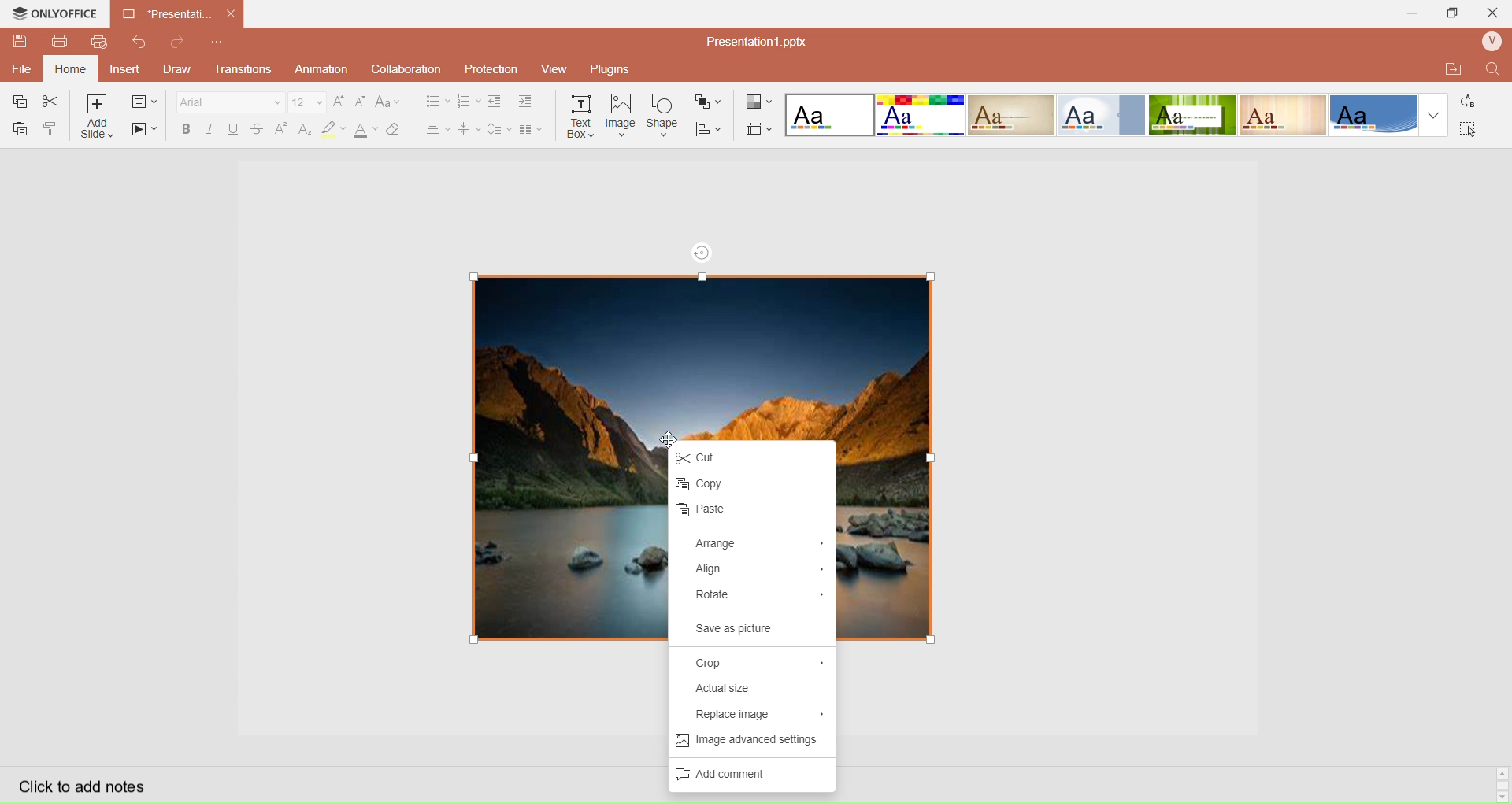 Image resolution: width=1512 pixels, height=803 pixels. Describe the element at coordinates (710, 102) in the screenshot. I see `Arrange Shape` at that location.